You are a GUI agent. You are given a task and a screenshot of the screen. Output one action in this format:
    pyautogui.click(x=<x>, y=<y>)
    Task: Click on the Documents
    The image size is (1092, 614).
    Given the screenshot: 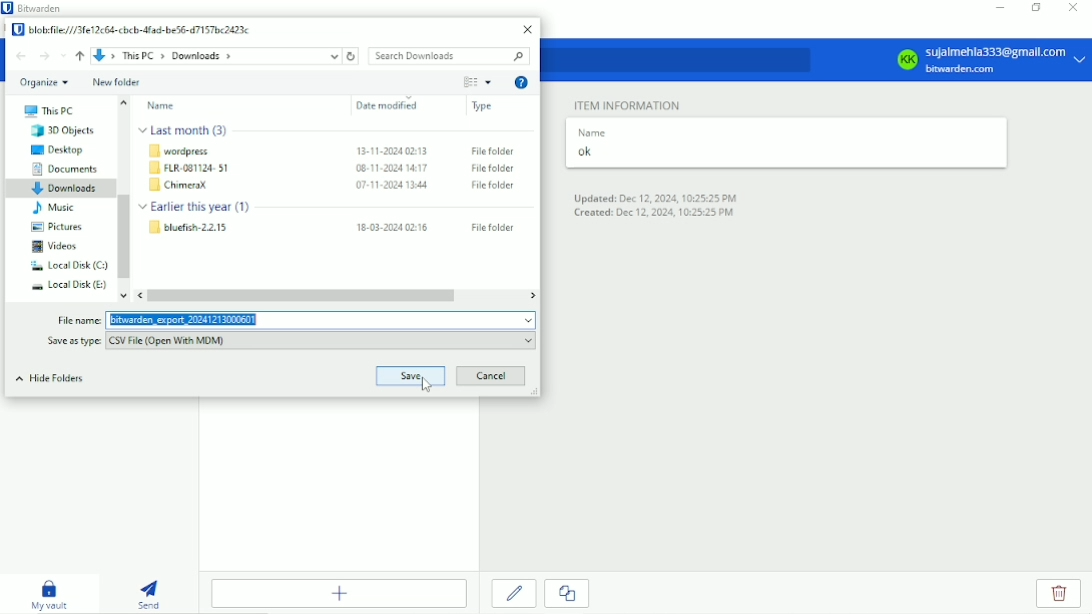 What is the action you would take?
    pyautogui.click(x=66, y=169)
    